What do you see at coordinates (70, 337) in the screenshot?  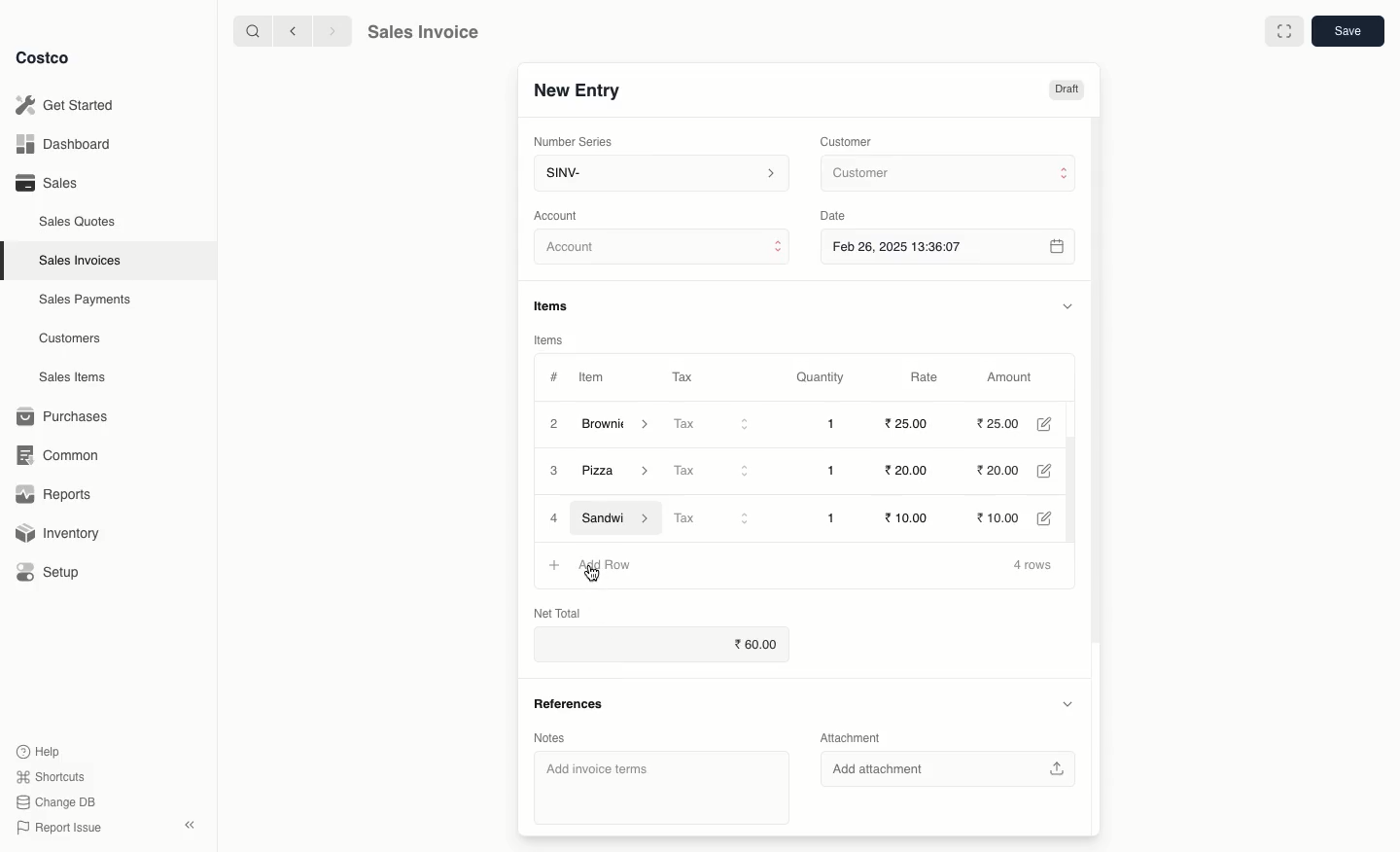 I see `Customers` at bounding box center [70, 337].